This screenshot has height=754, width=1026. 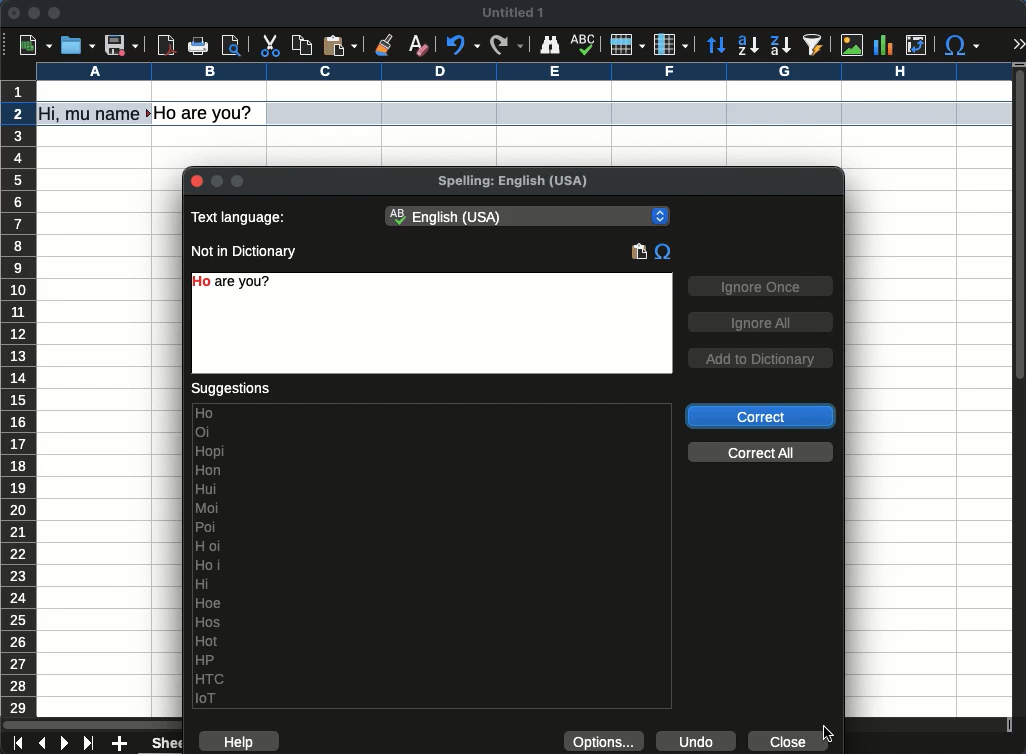 What do you see at coordinates (585, 45) in the screenshot?
I see `spell check` at bounding box center [585, 45].